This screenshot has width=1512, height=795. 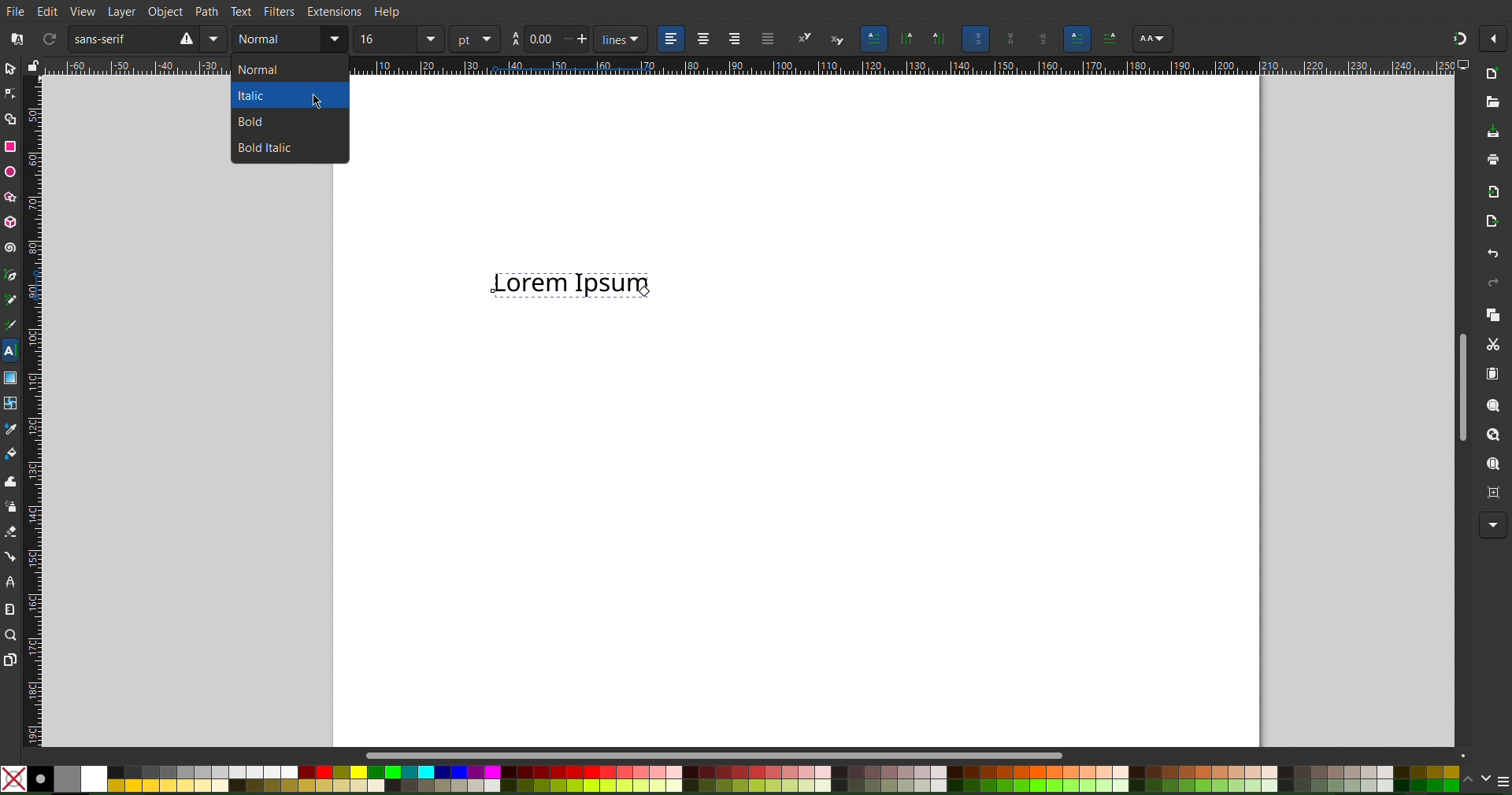 I want to click on Zoom Centre Page, so click(x=1487, y=494).